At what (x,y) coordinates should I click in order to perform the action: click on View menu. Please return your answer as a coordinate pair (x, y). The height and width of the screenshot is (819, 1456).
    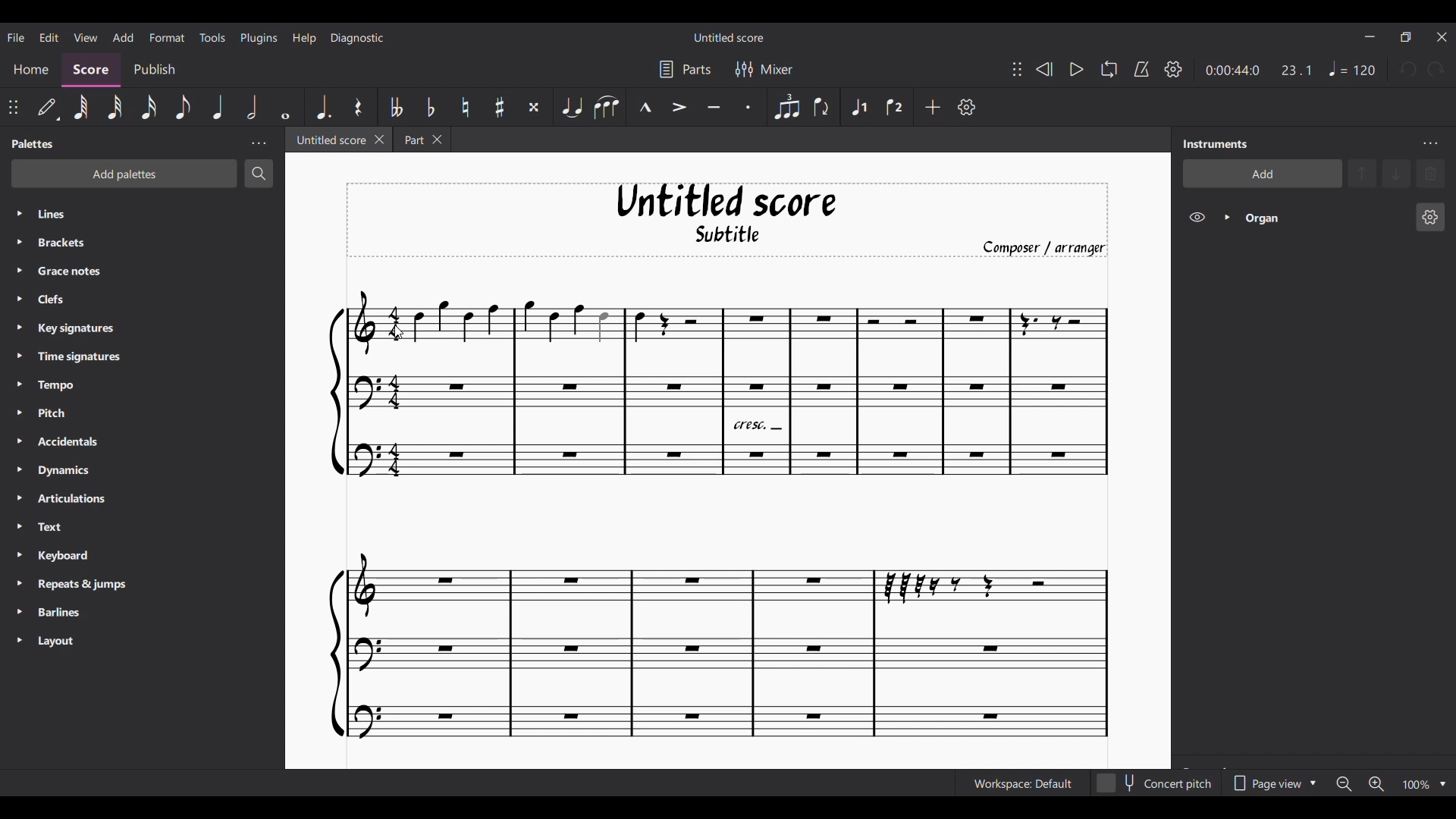
    Looking at the image, I should click on (85, 36).